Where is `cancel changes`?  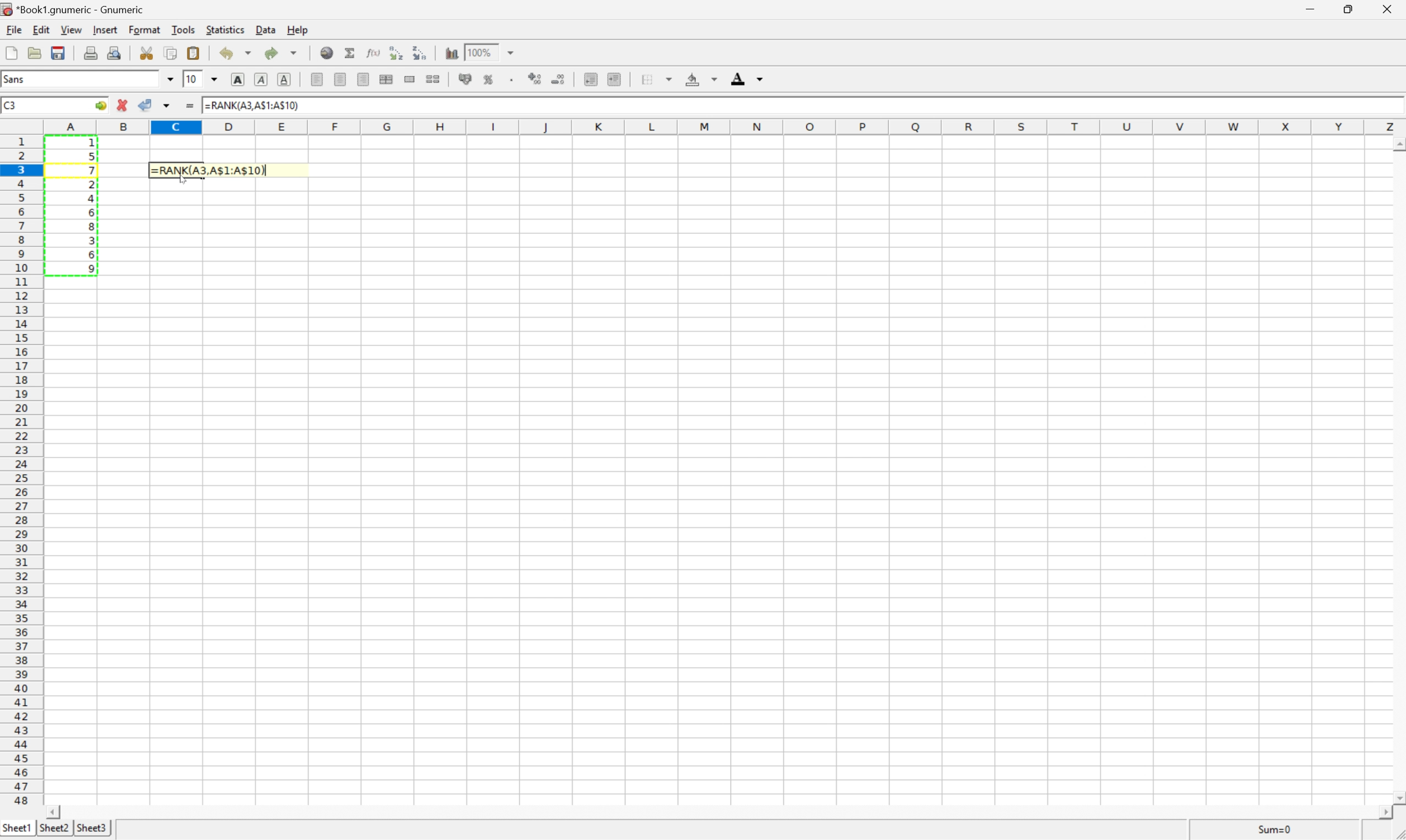 cancel changes is located at coordinates (122, 104).